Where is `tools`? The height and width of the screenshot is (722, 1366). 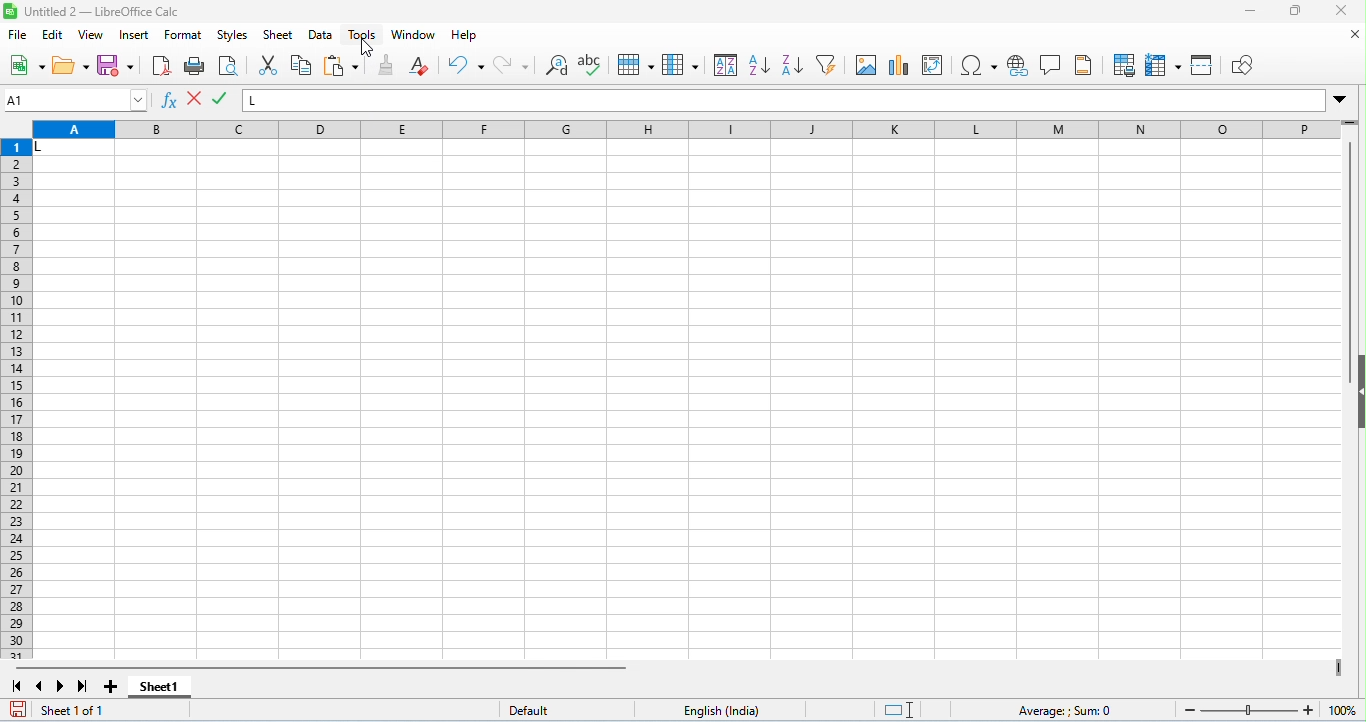 tools is located at coordinates (364, 35).